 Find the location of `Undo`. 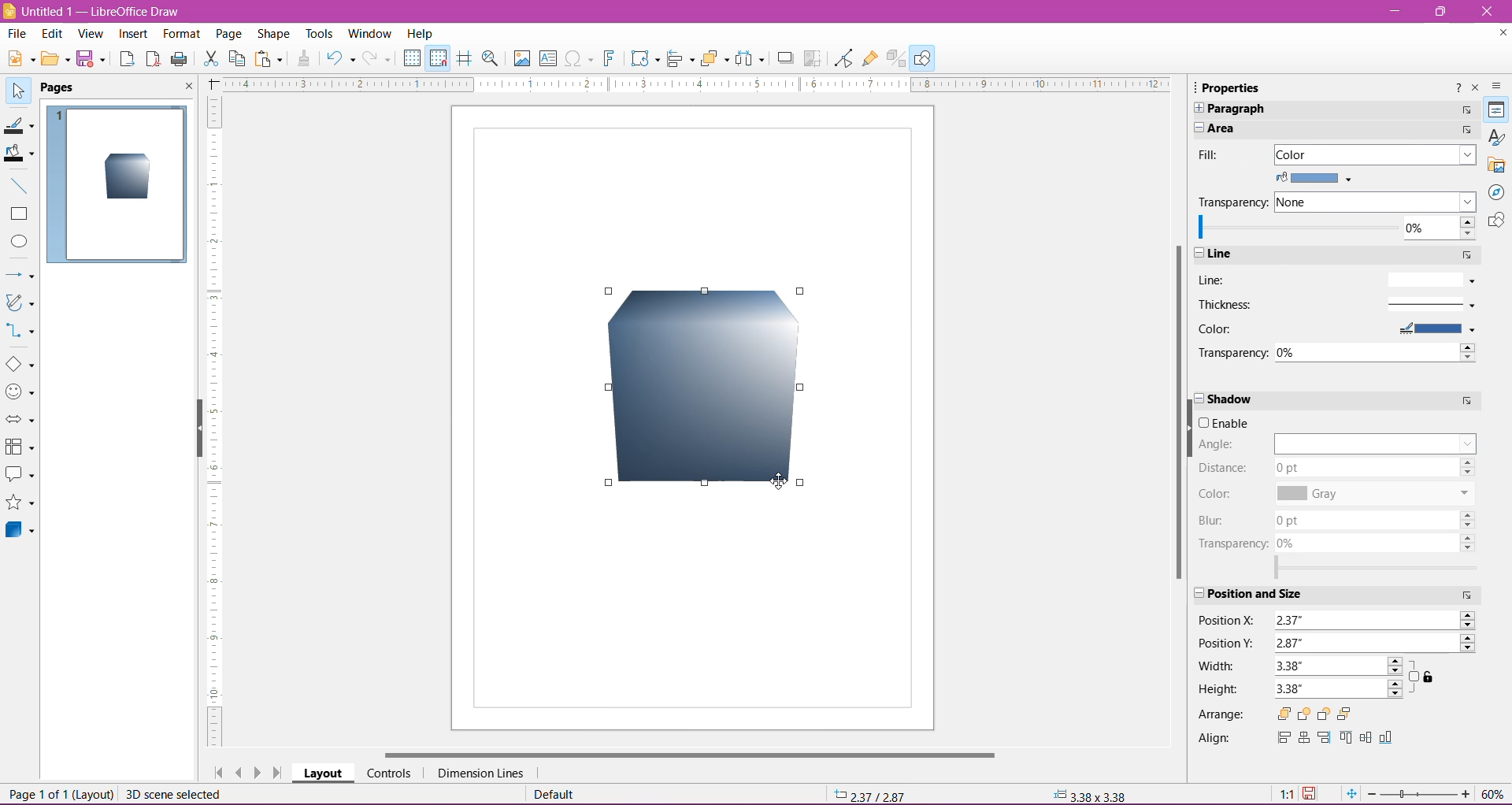

Undo is located at coordinates (340, 60).